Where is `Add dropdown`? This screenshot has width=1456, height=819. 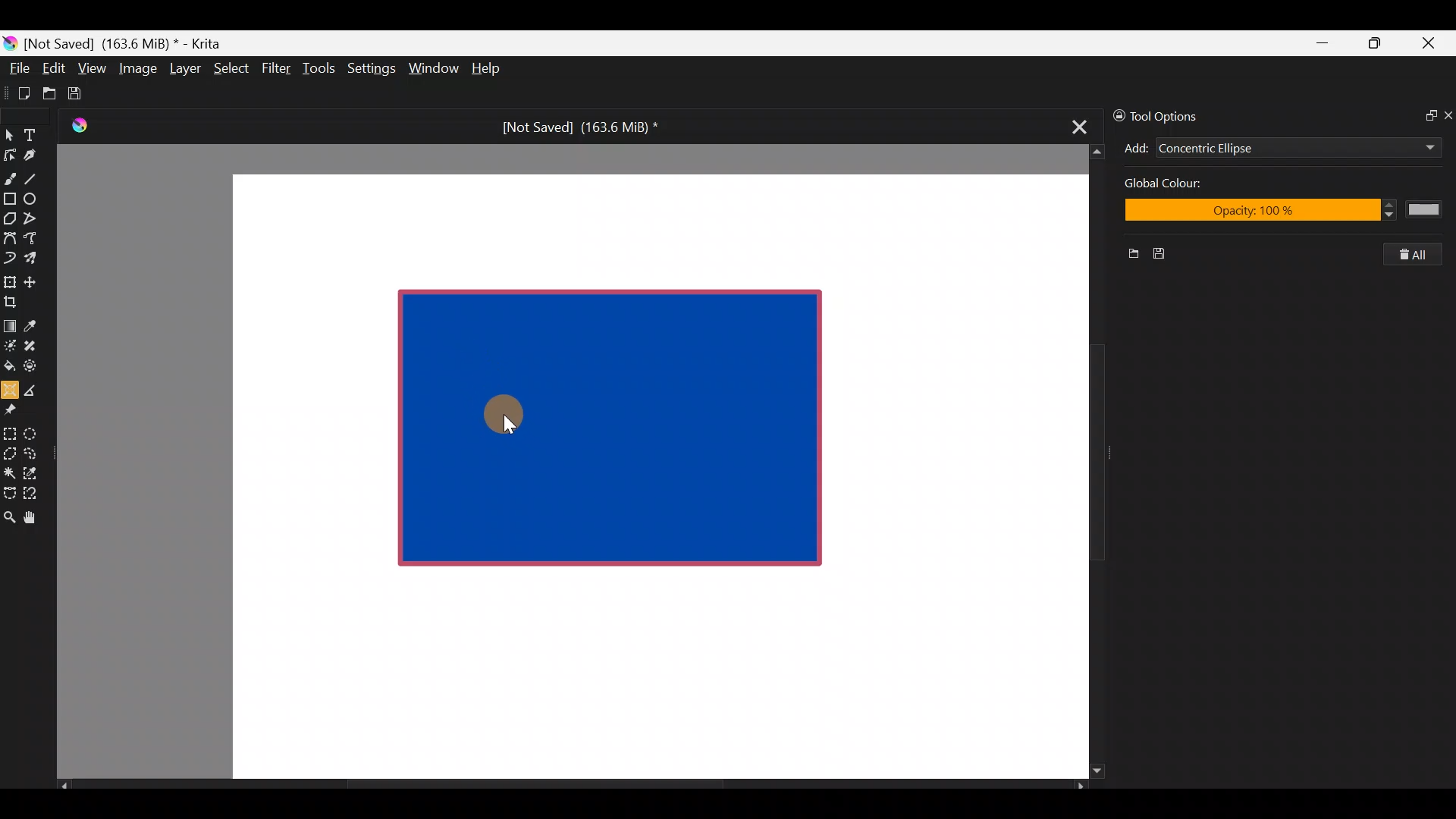 Add dropdown is located at coordinates (1410, 147).